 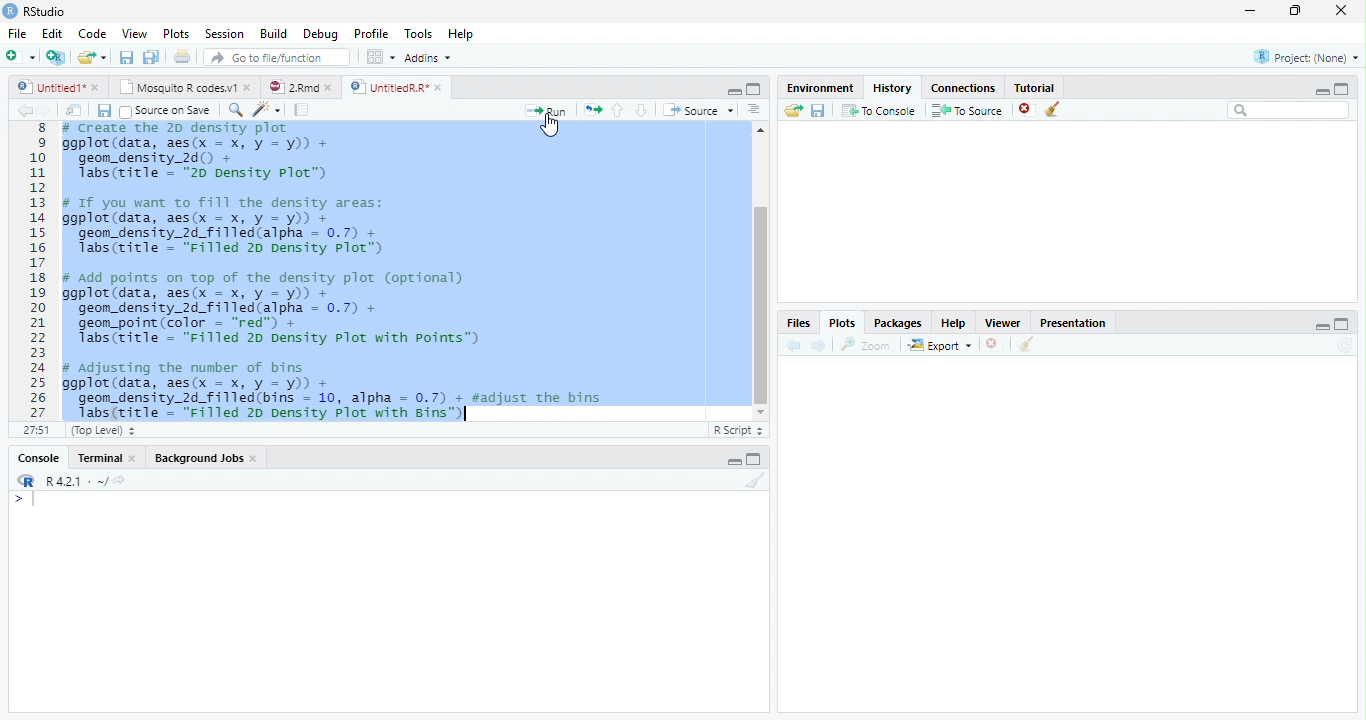 What do you see at coordinates (1072, 324) in the screenshot?
I see `Presentatior` at bounding box center [1072, 324].